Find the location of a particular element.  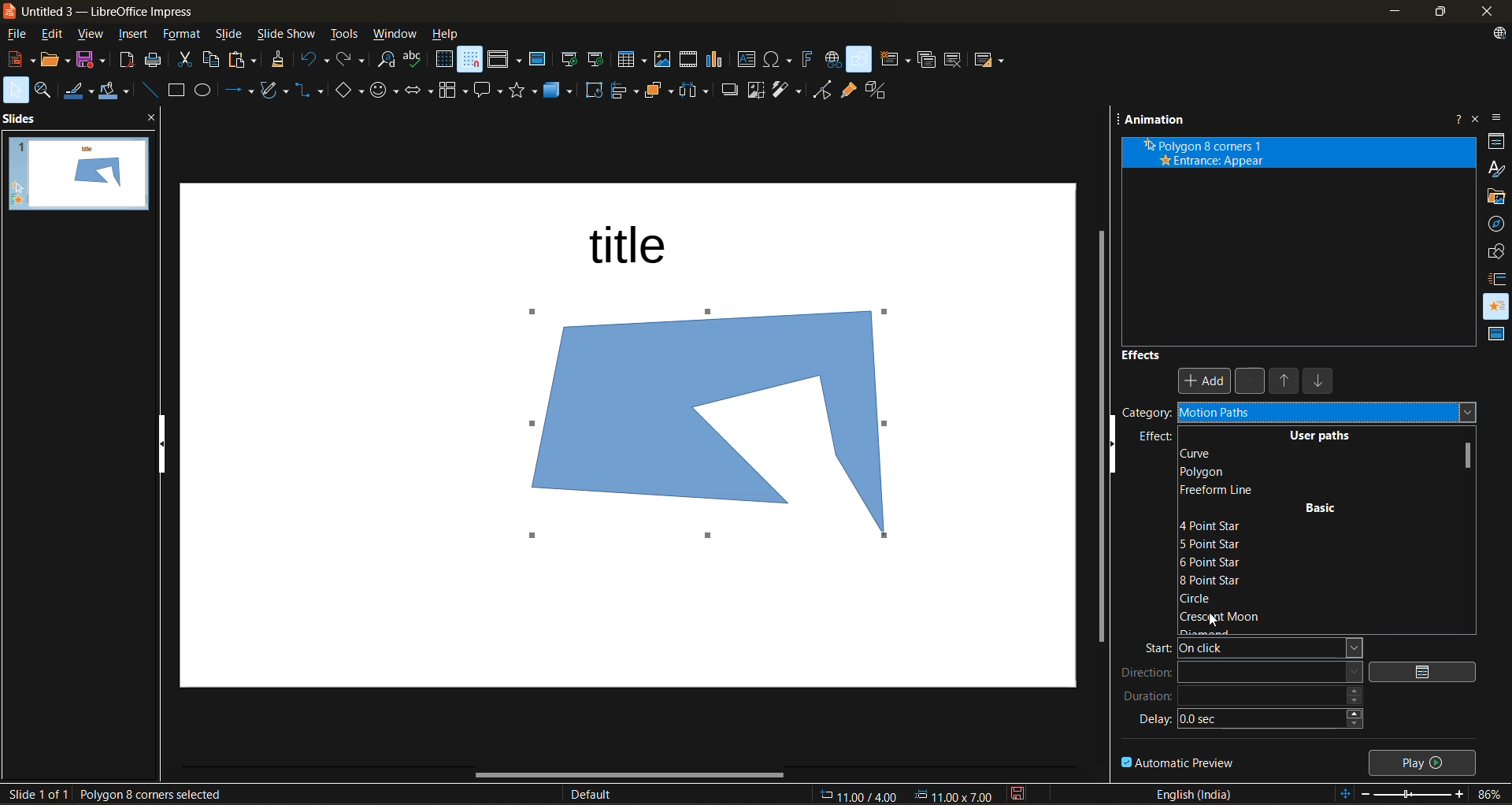

slide details is located at coordinates (37, 795).